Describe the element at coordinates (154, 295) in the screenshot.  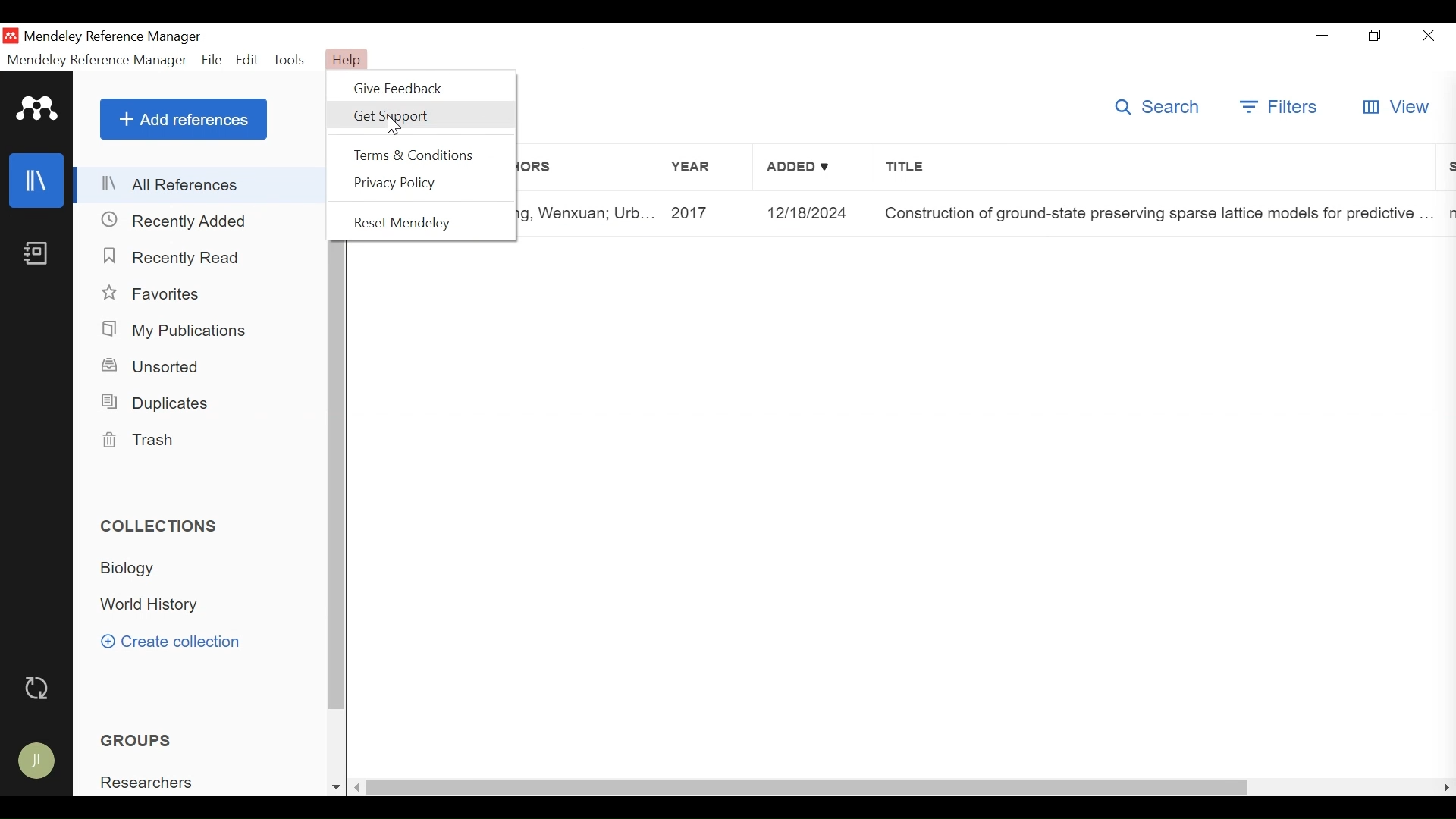
I see `Favorites` at that location.